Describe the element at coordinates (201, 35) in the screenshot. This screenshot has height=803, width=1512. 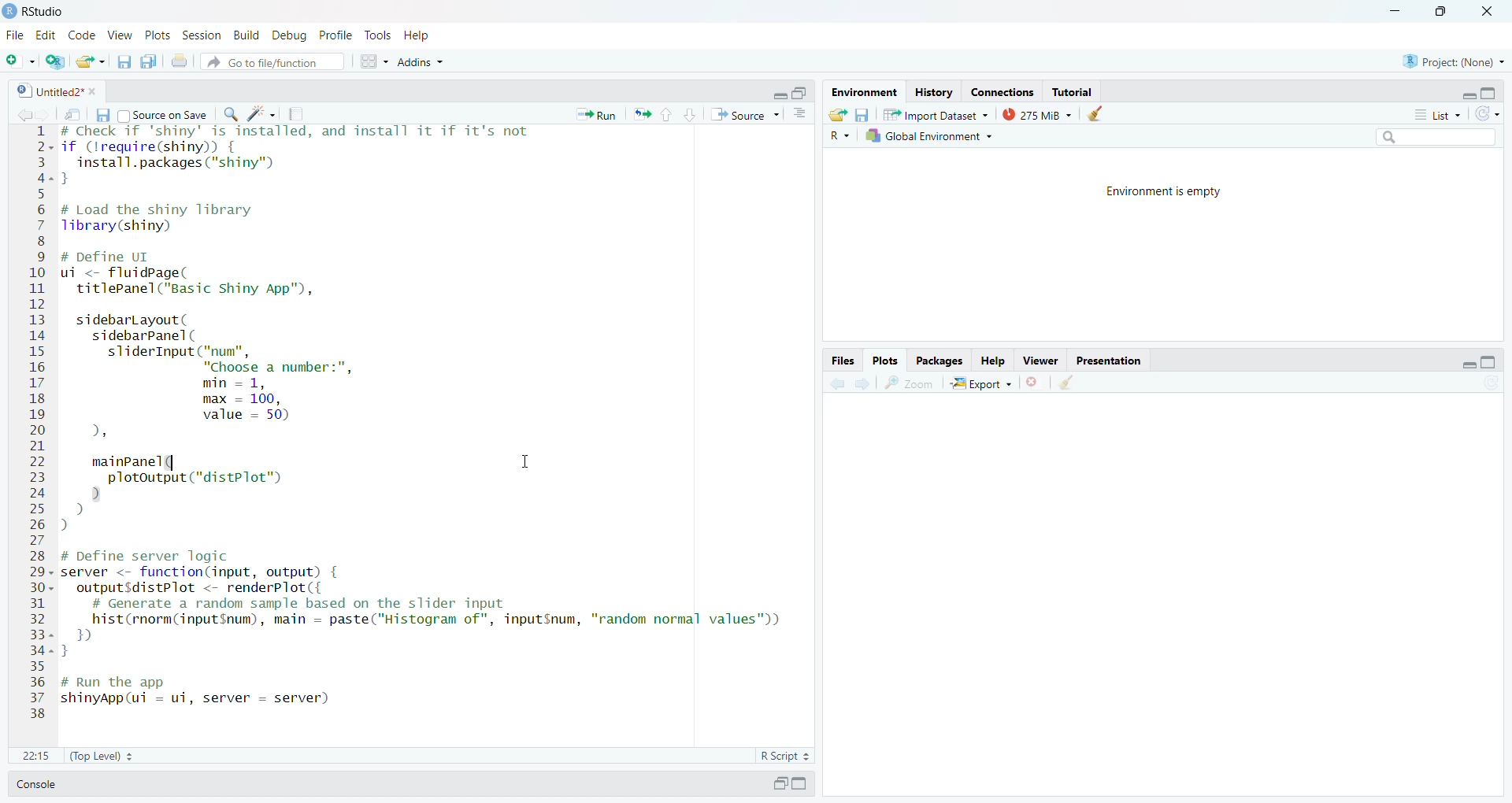
I see `Session` at that location.